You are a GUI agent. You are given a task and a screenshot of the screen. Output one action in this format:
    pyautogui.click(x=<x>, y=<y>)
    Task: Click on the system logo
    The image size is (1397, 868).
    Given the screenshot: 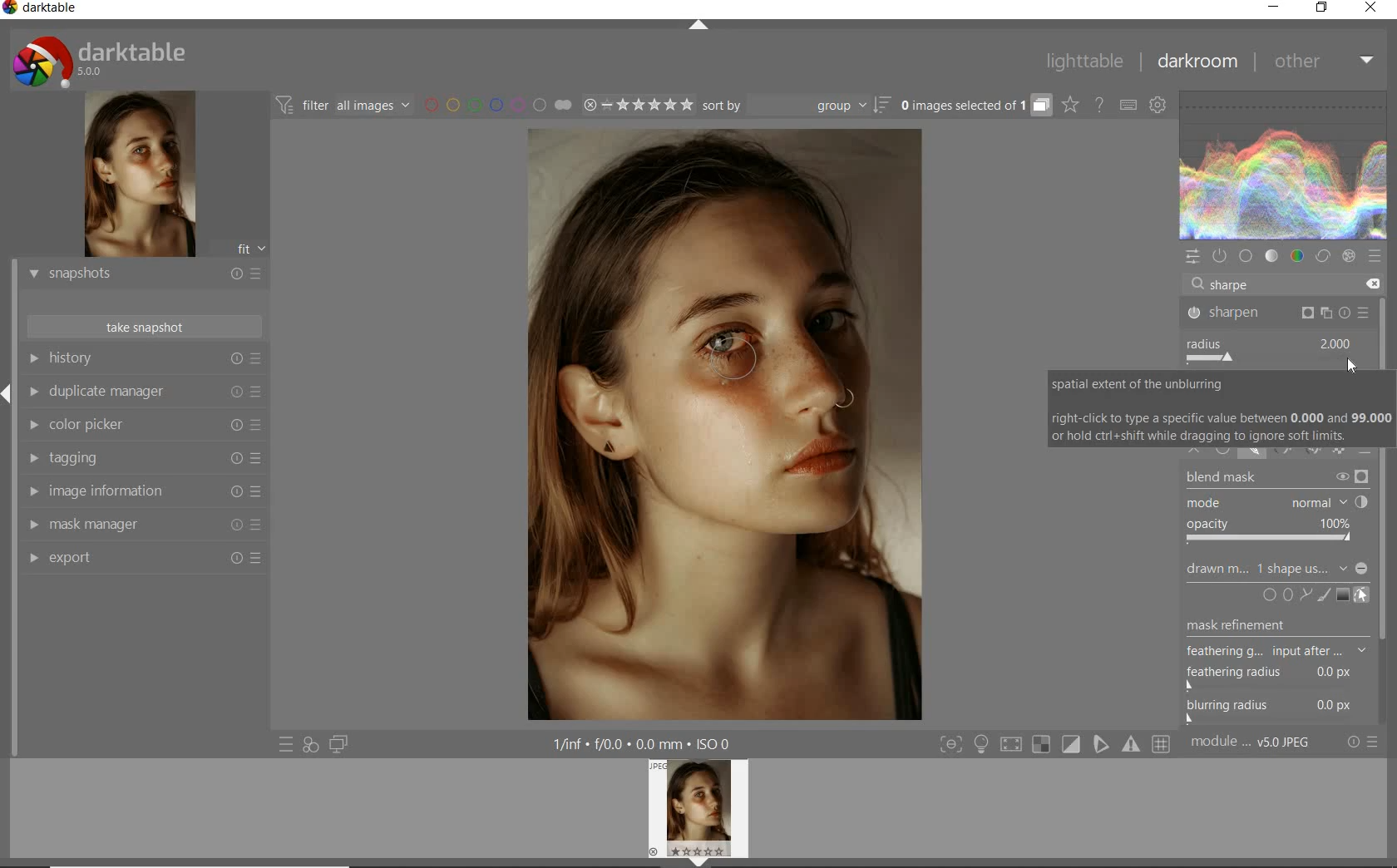 What is the action you would take?
    pyautogui.click(x=101, y=61)
    